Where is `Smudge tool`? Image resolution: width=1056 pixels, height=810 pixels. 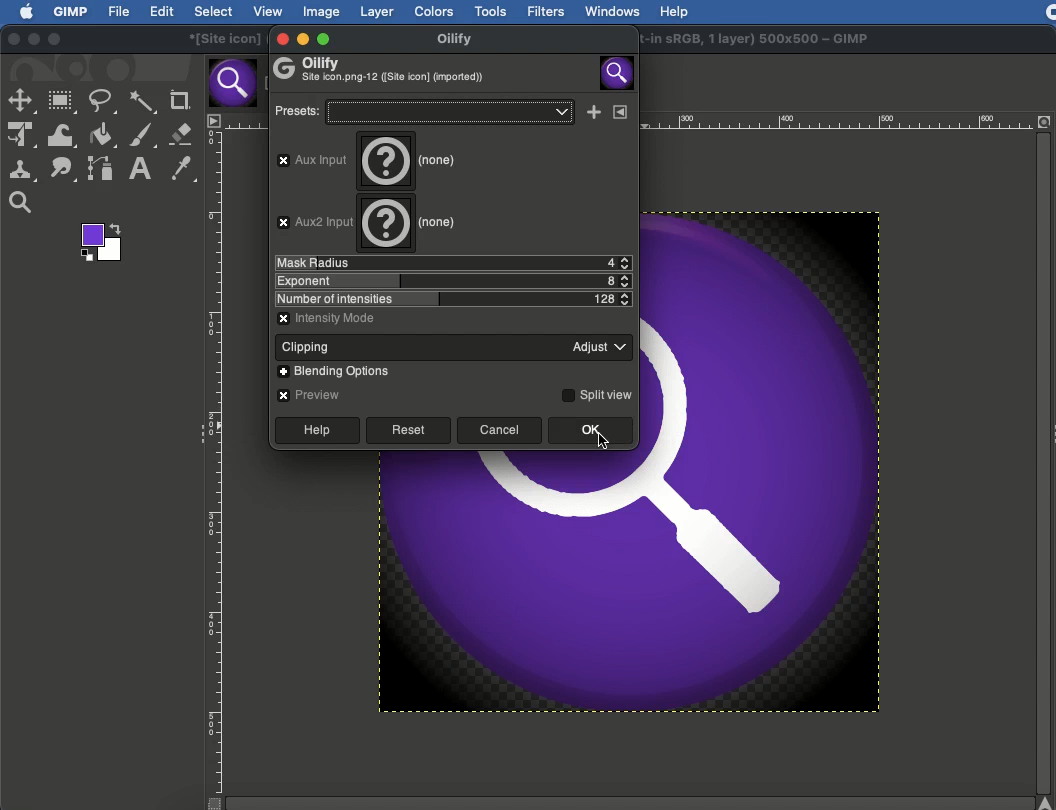 Smudge tool is located at coordinates (64, 170).